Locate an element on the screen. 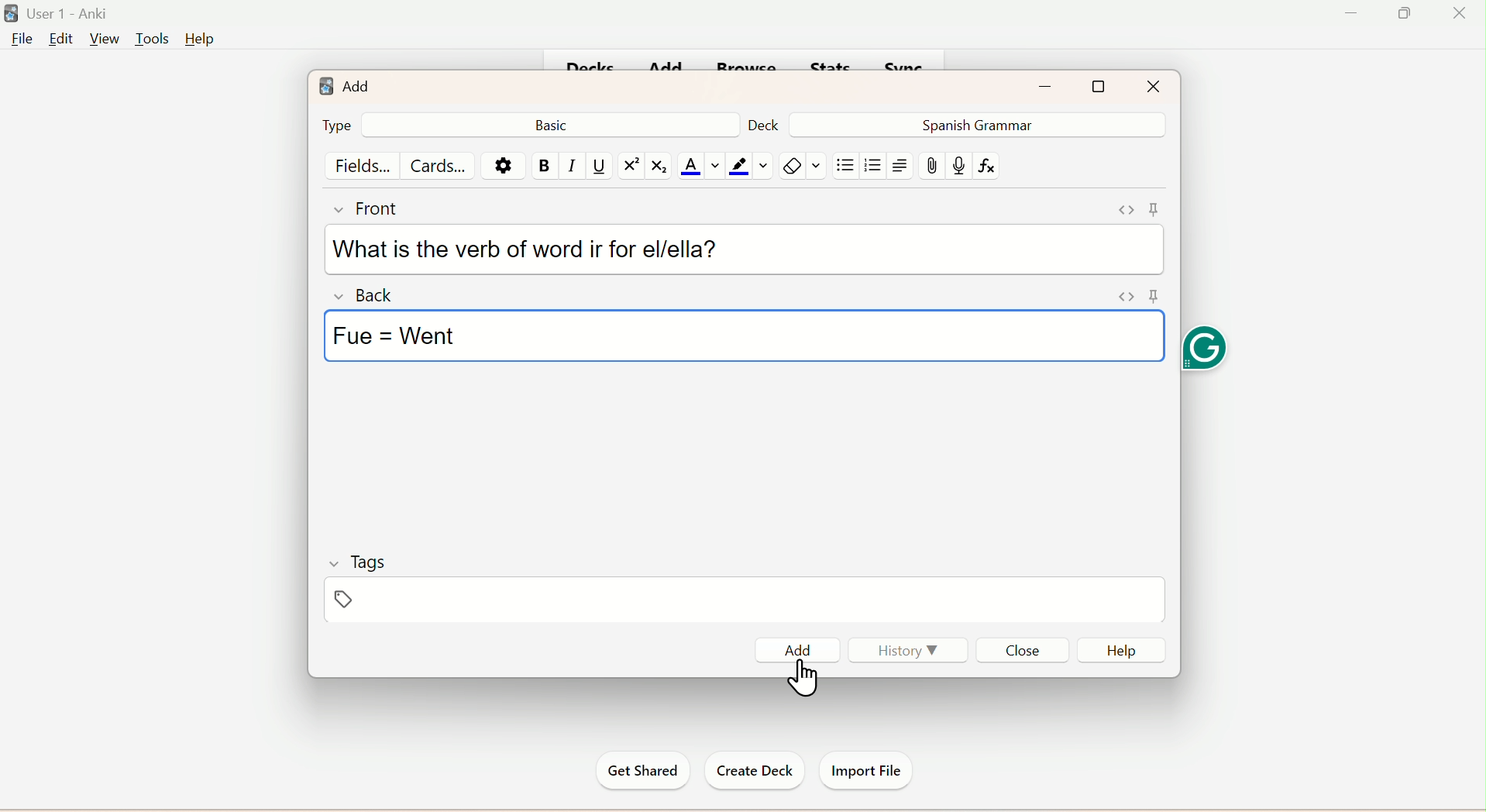 The width and height of the screenshot is (1486, 812). Maximize is located at coordinates (1100, 86).